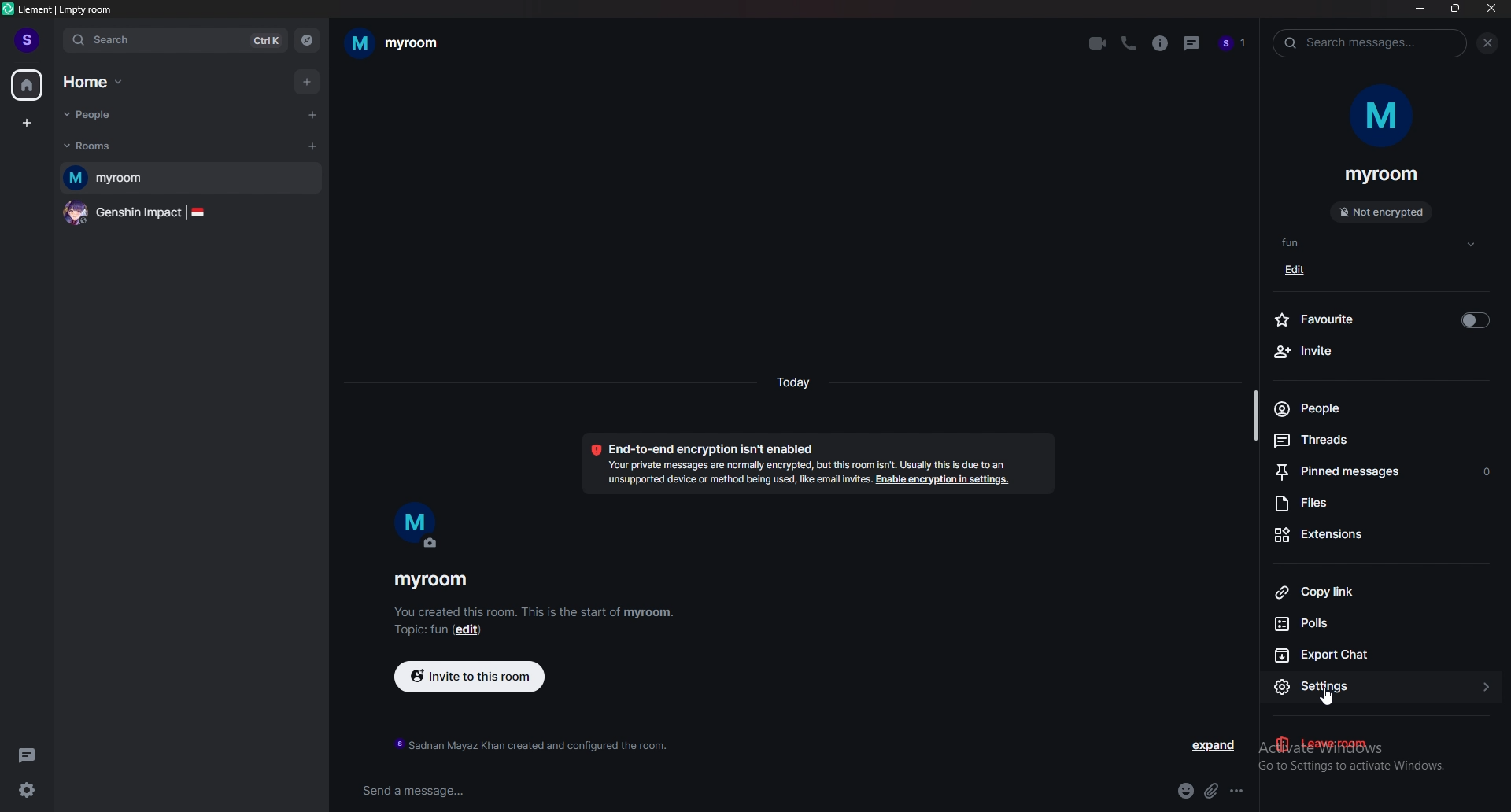 This screenshot has width=1511, height=812. Describe the element at coordinates (29, 753) in the screenshot. I see `threads` at that location.